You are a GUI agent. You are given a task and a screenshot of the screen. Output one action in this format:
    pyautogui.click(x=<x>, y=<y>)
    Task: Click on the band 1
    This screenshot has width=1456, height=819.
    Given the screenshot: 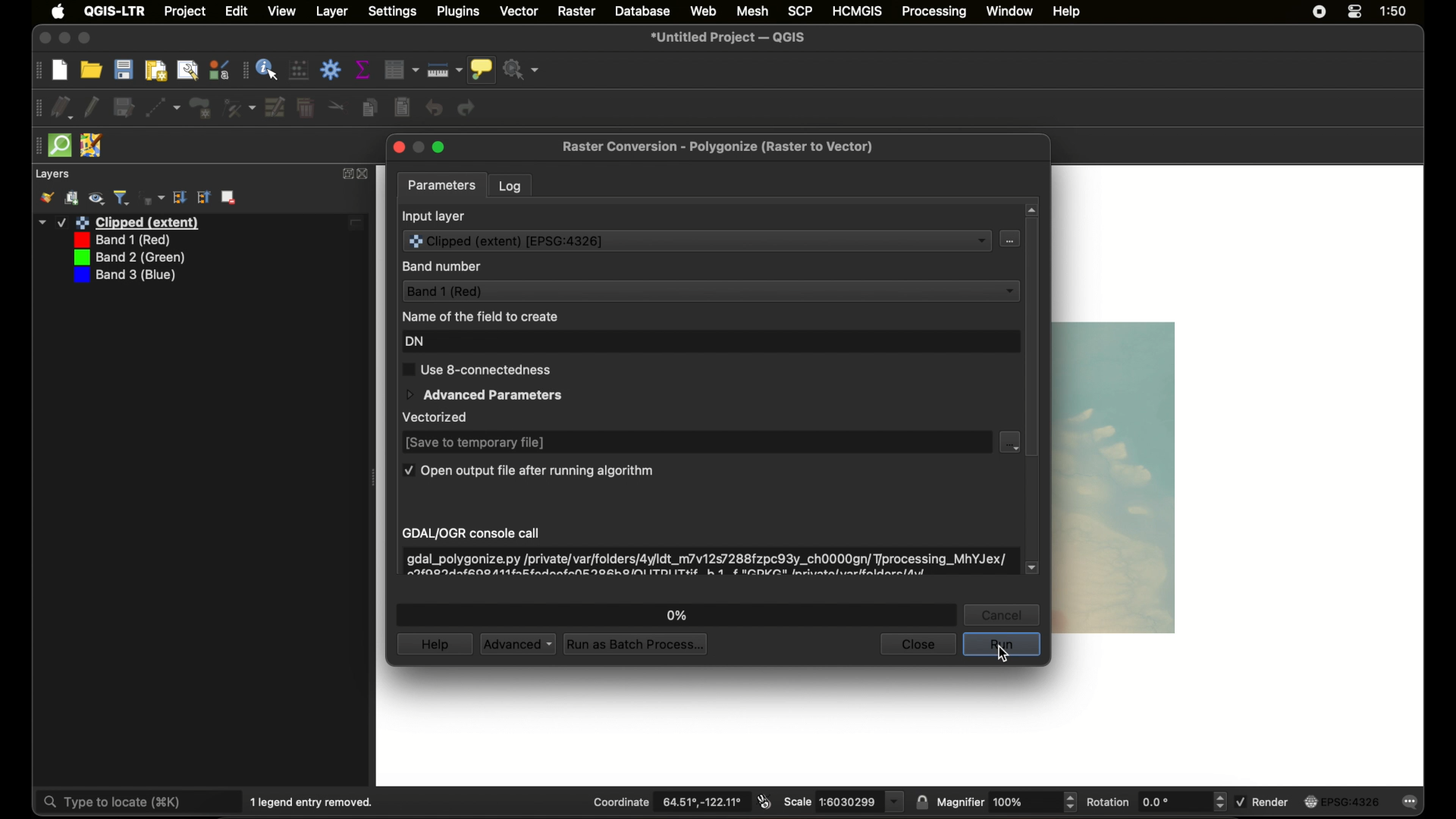 What is the action you would take?
    pyautogui.click(x=120, y=240)
    